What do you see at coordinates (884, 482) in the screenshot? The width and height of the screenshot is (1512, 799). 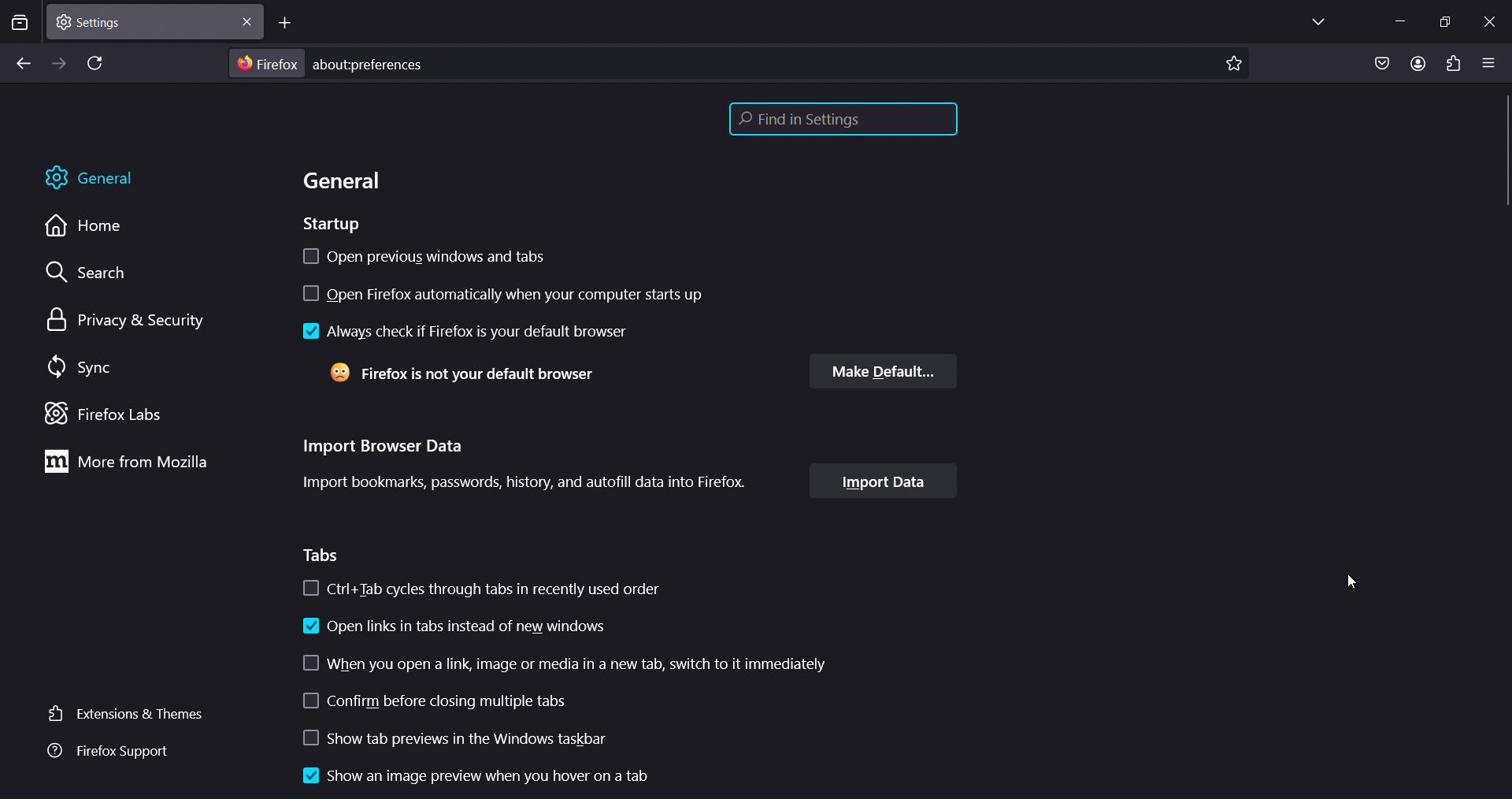 I see `import data` at bounding box center [884, 482].